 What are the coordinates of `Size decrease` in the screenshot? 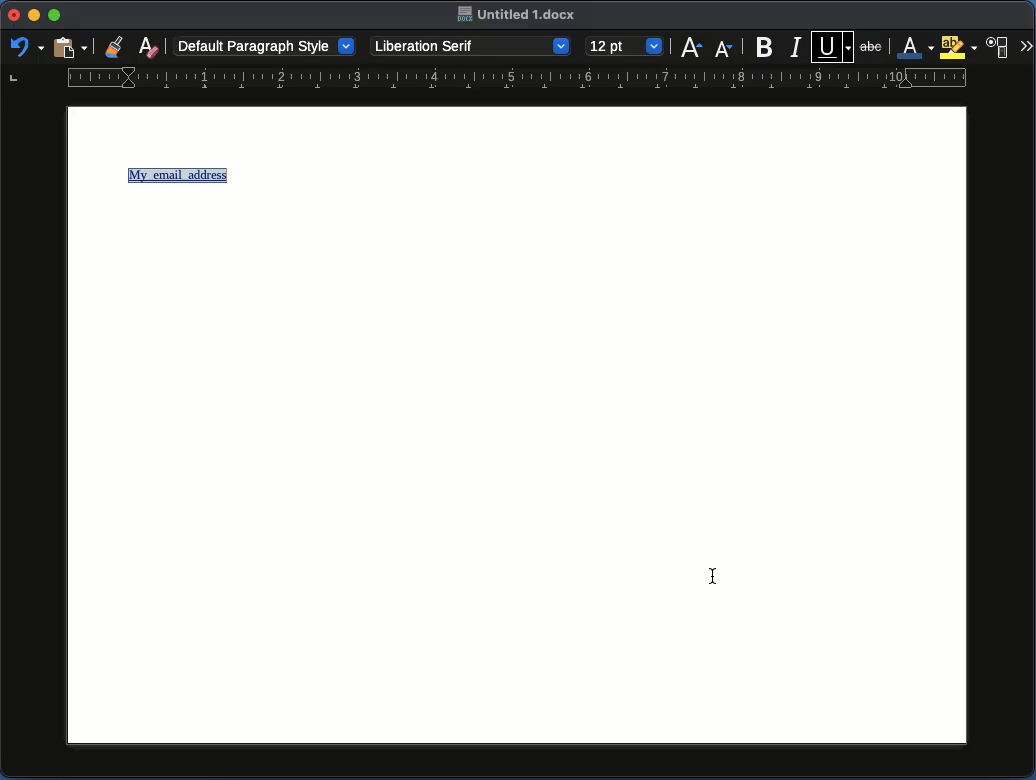 It's located at (723, 49).